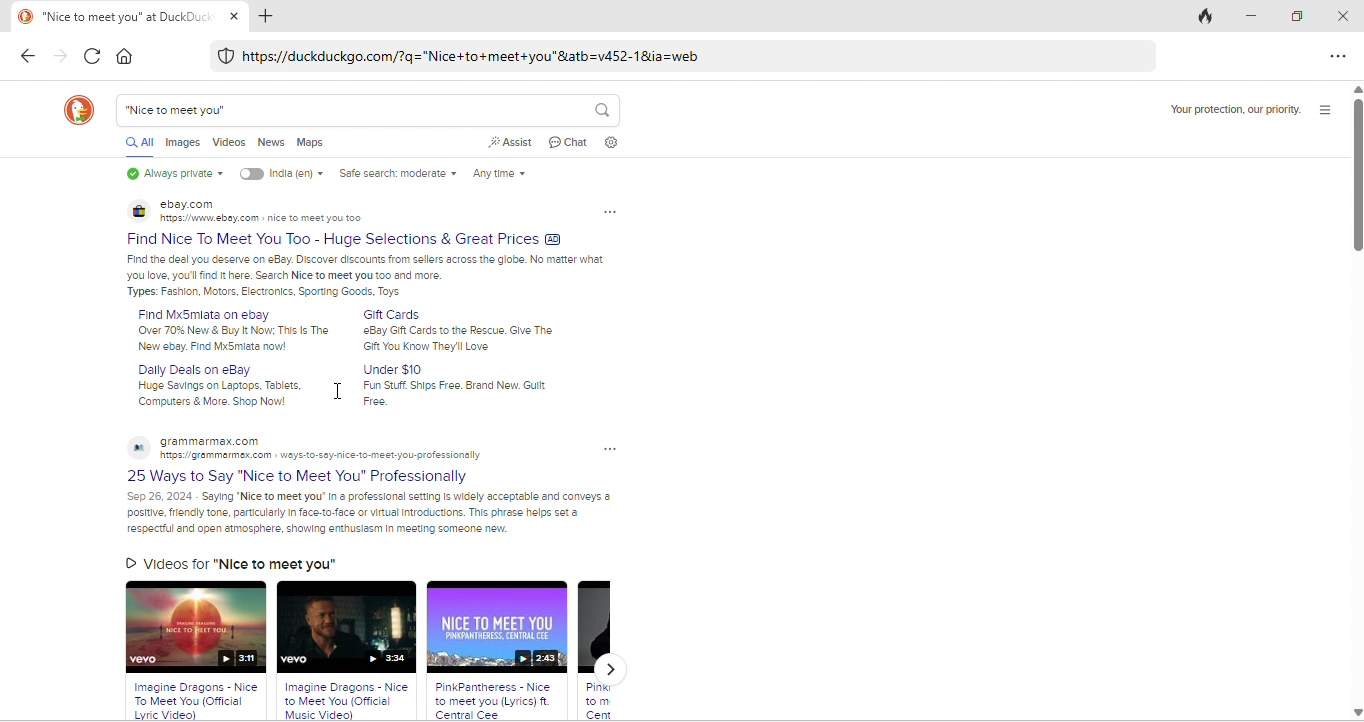 The width and height of the screenshot is (1364, 722). I want to click on add tab, so click(267, 17).